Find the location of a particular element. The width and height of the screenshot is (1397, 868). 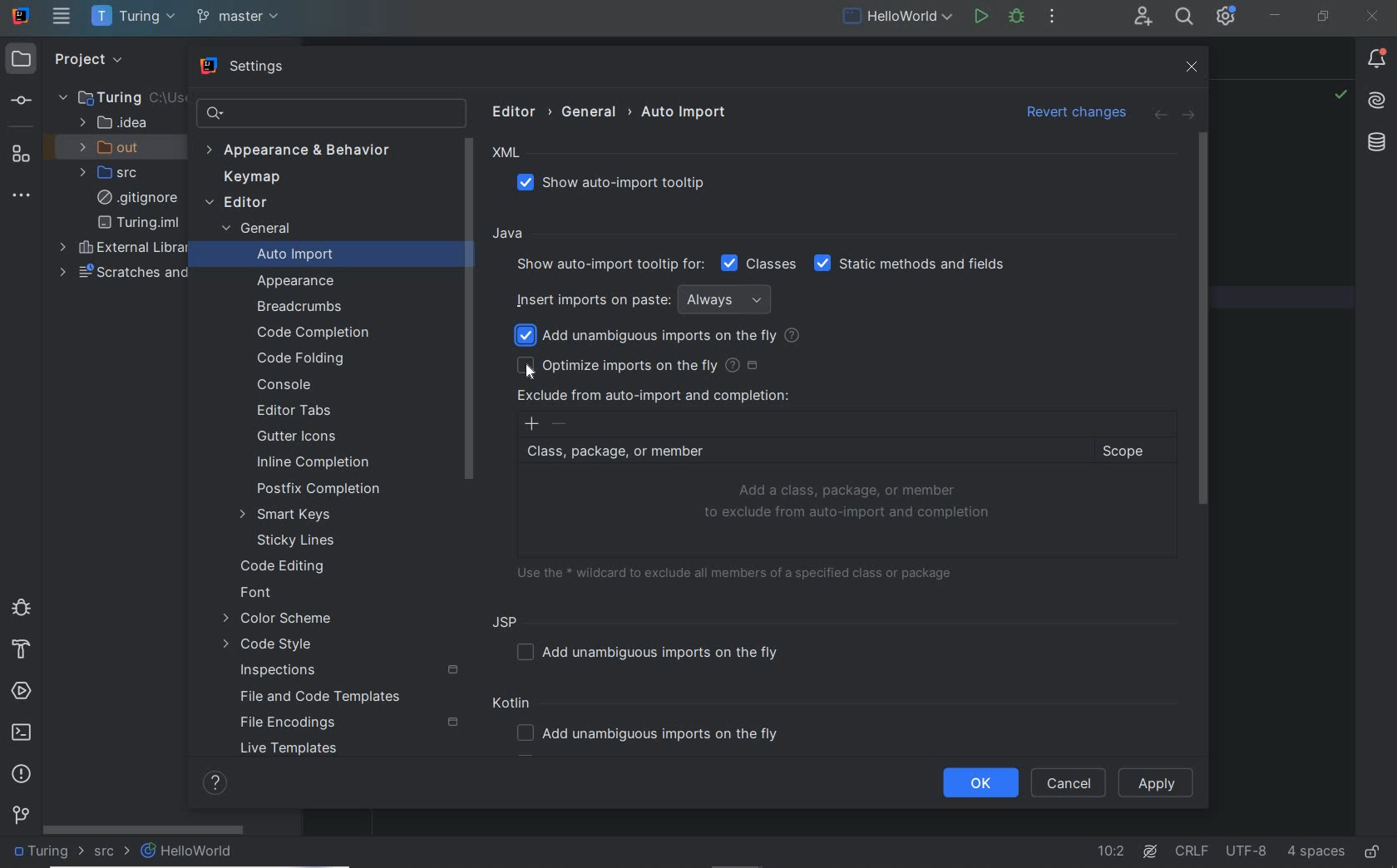

CLOSE is located at coordinates (1370, 17).